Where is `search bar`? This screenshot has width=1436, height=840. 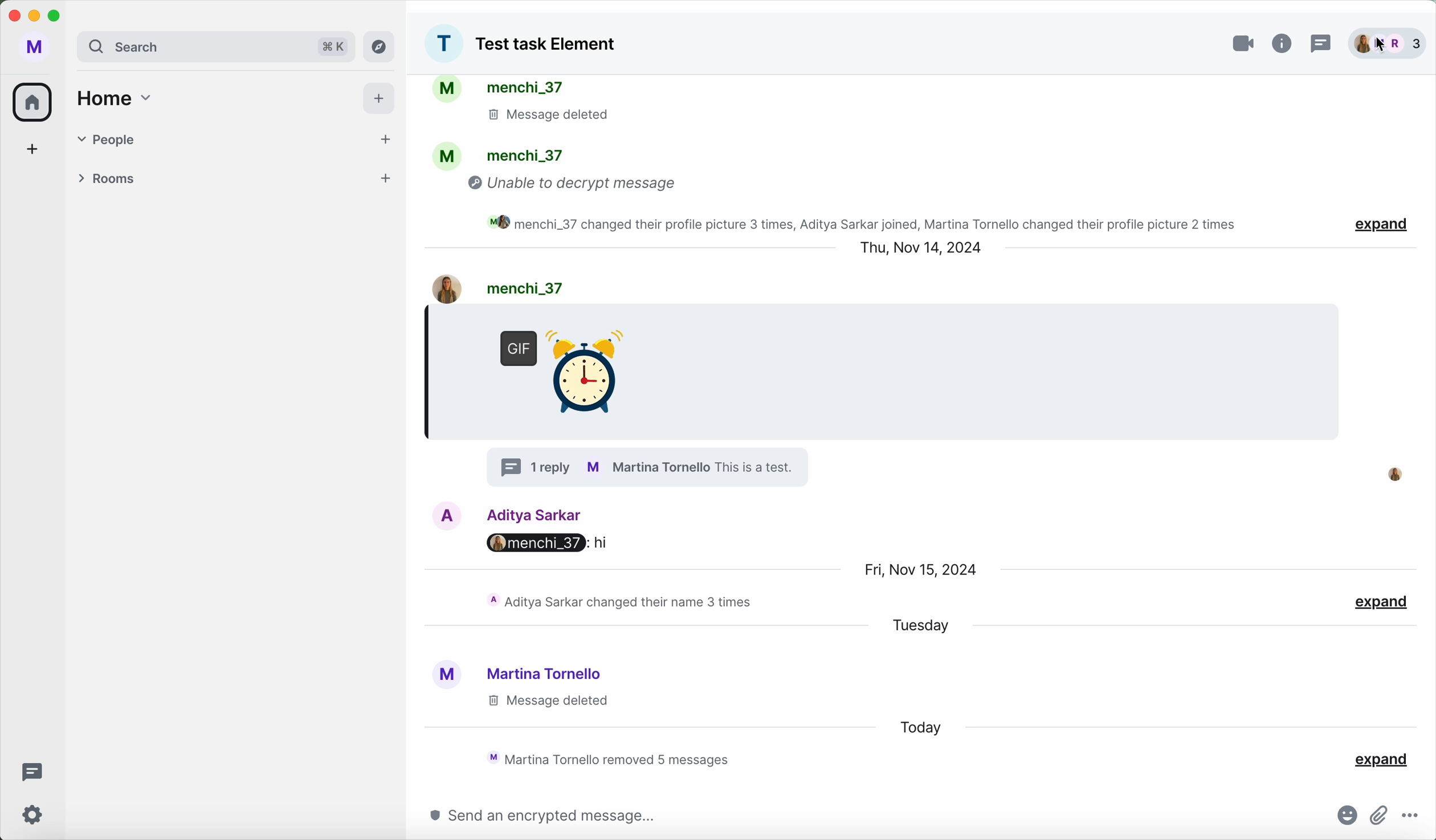 search bar is located at coordinates (186, 46).